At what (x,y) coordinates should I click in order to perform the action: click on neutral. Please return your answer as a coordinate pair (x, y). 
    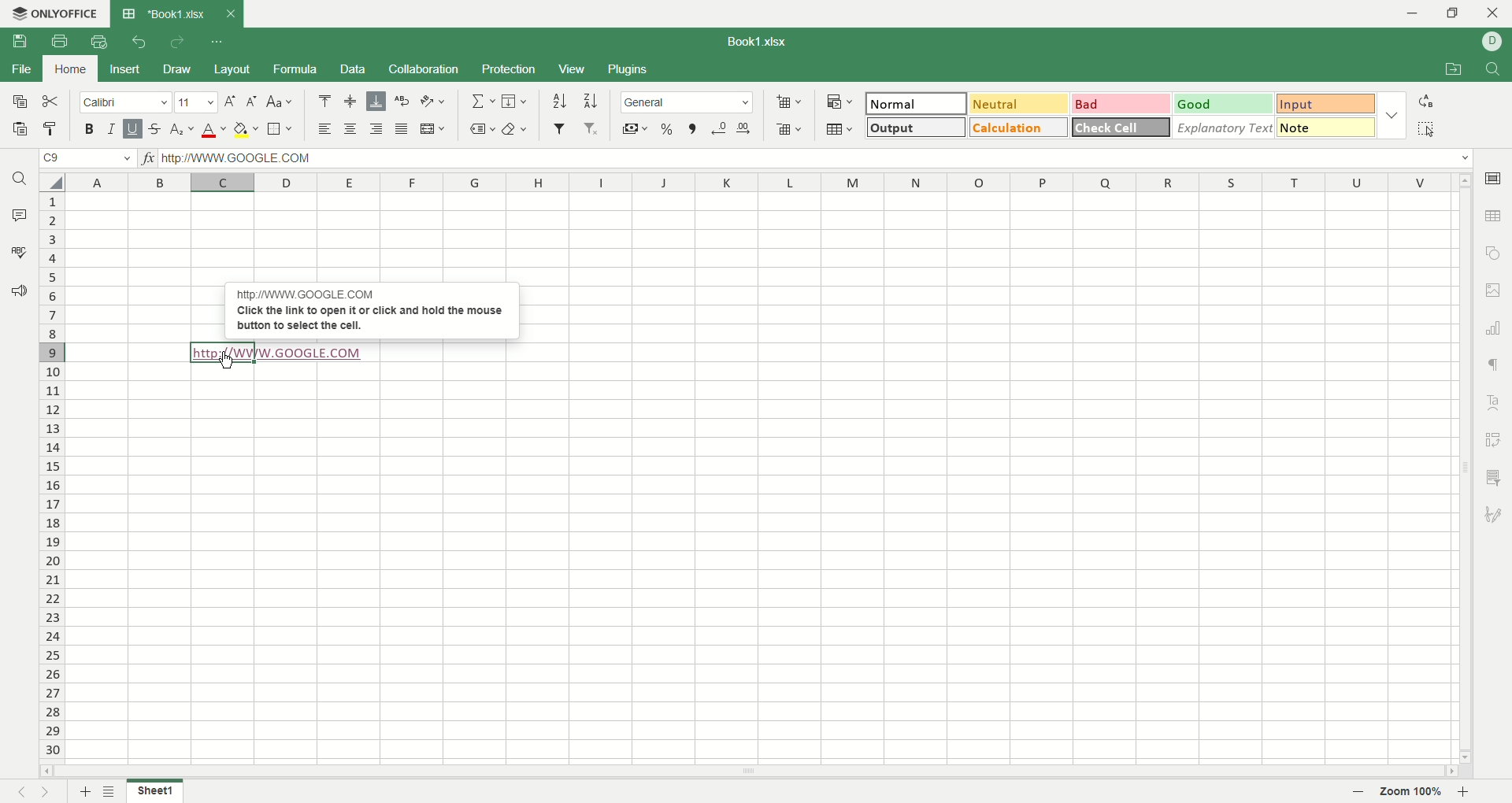
    Looking at the image, I should click on (1017, 103).